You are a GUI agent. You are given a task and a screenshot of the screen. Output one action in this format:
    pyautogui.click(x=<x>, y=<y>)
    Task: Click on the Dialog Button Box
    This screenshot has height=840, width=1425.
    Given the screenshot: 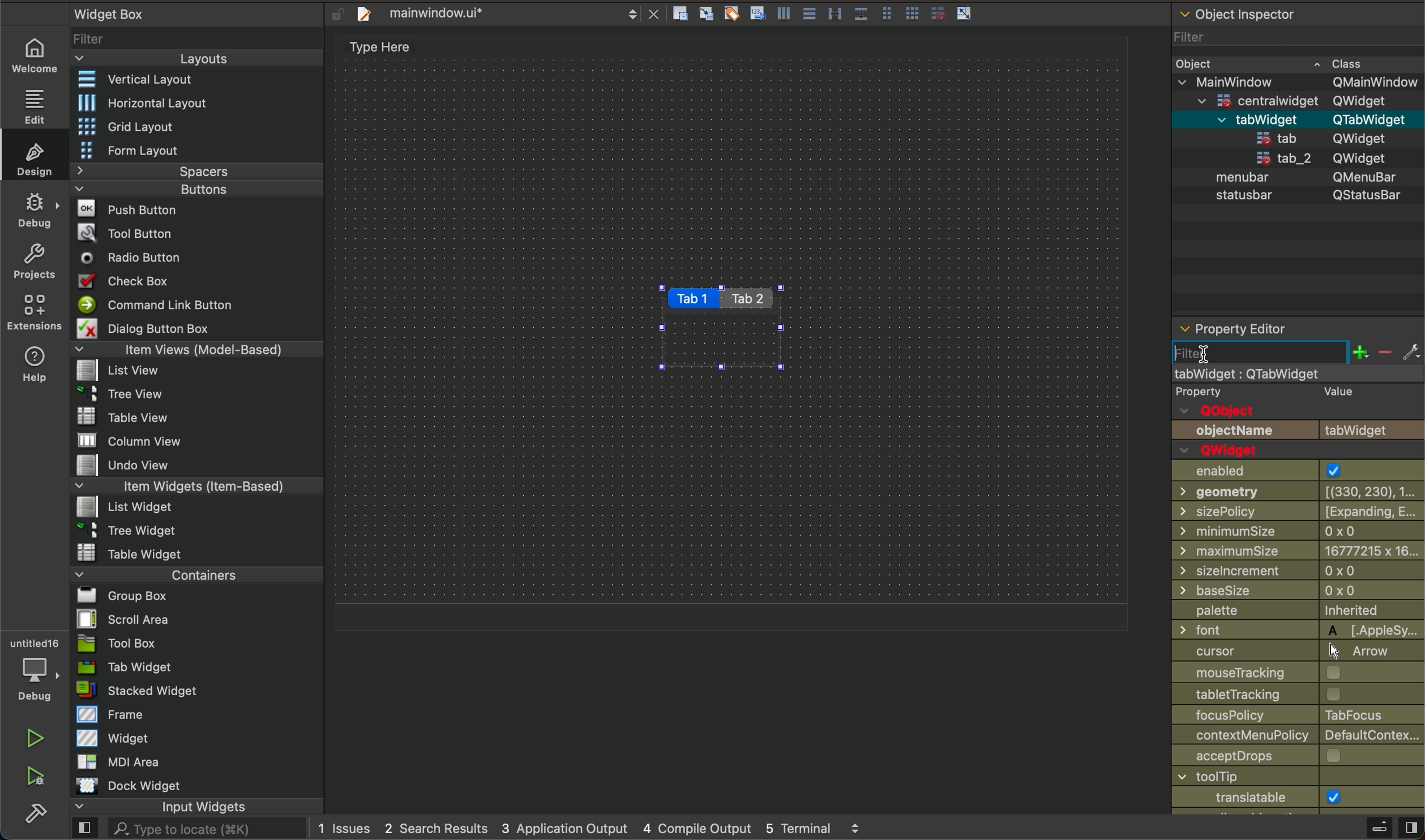 What is the action you would take?
    pyautogui.click(x=139, y=327)
    